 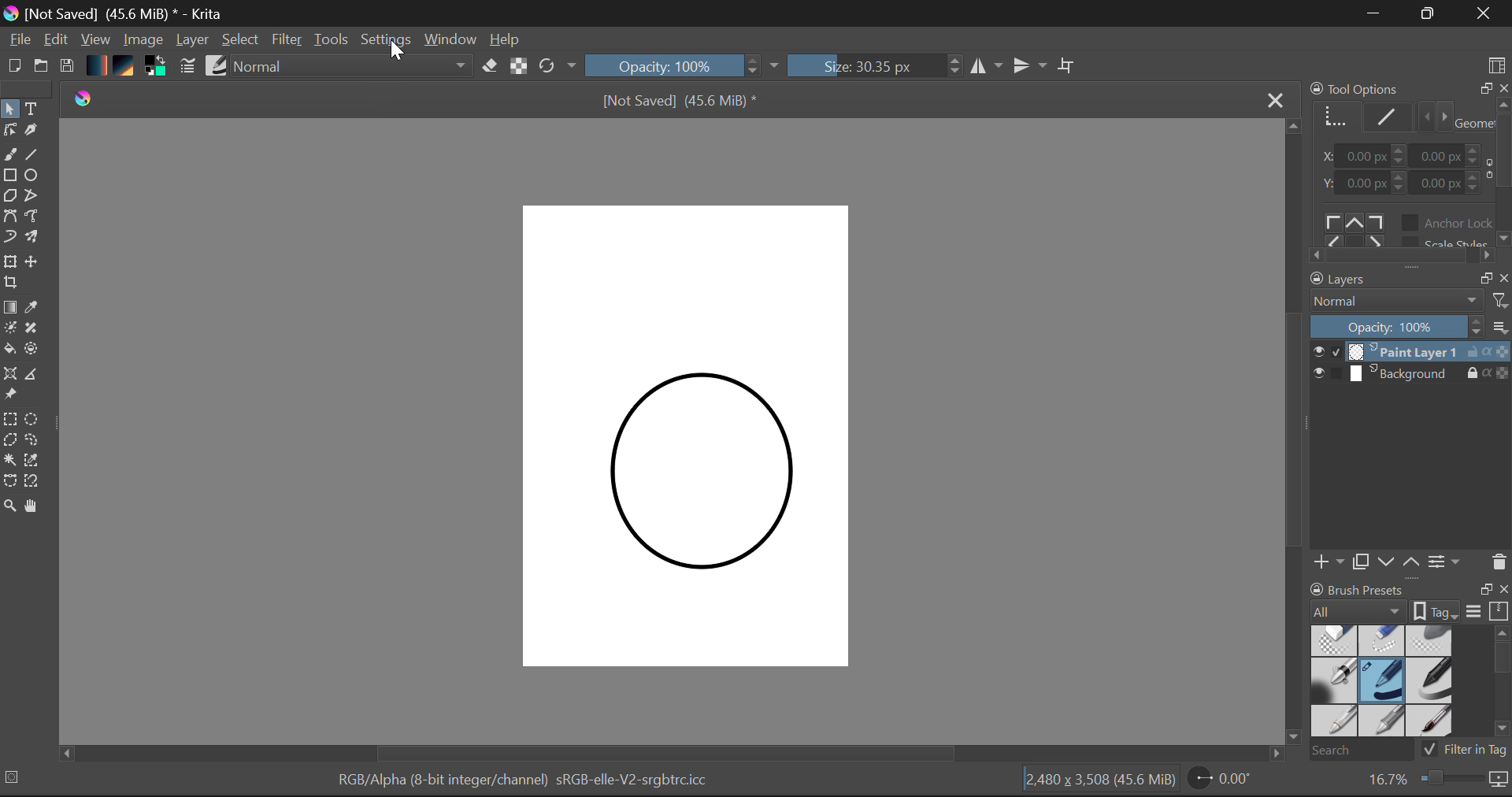 I want to click on Cursor, so click(x=395, y=49).